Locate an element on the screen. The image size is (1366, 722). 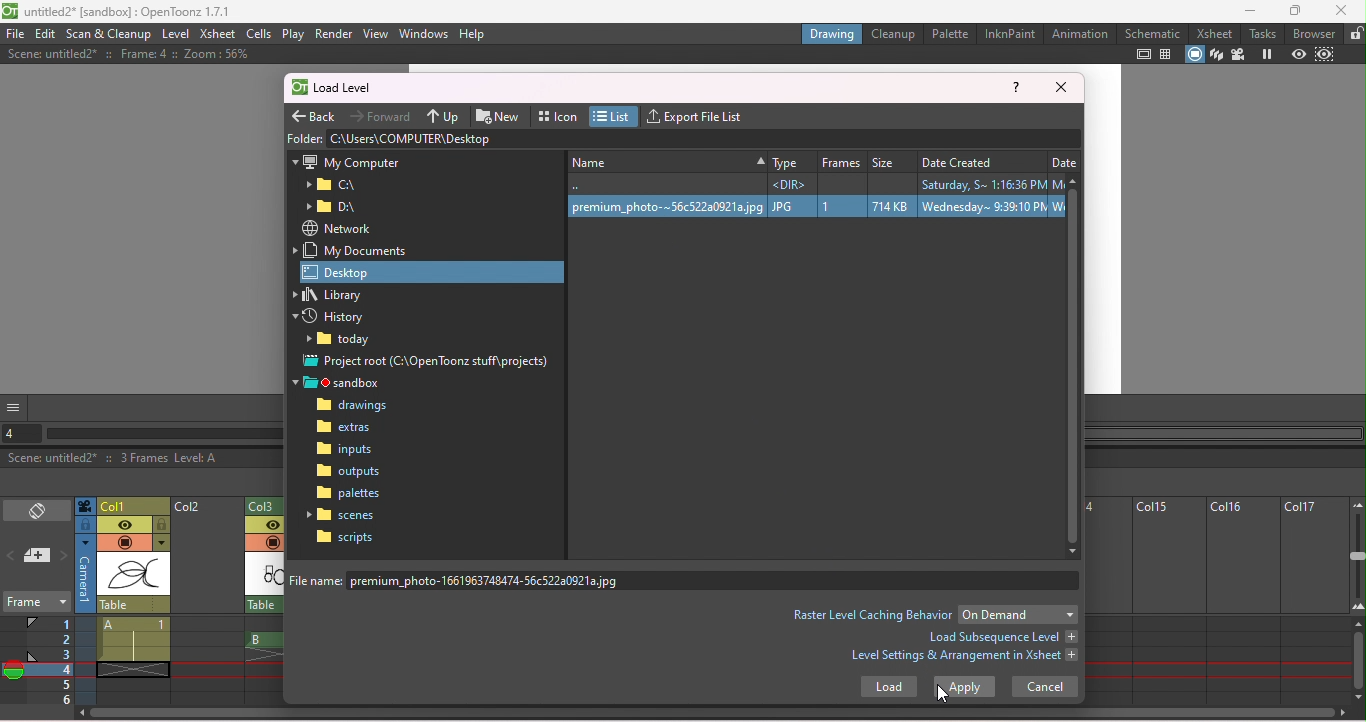
click to select camera is located at coordinates (85, 525).